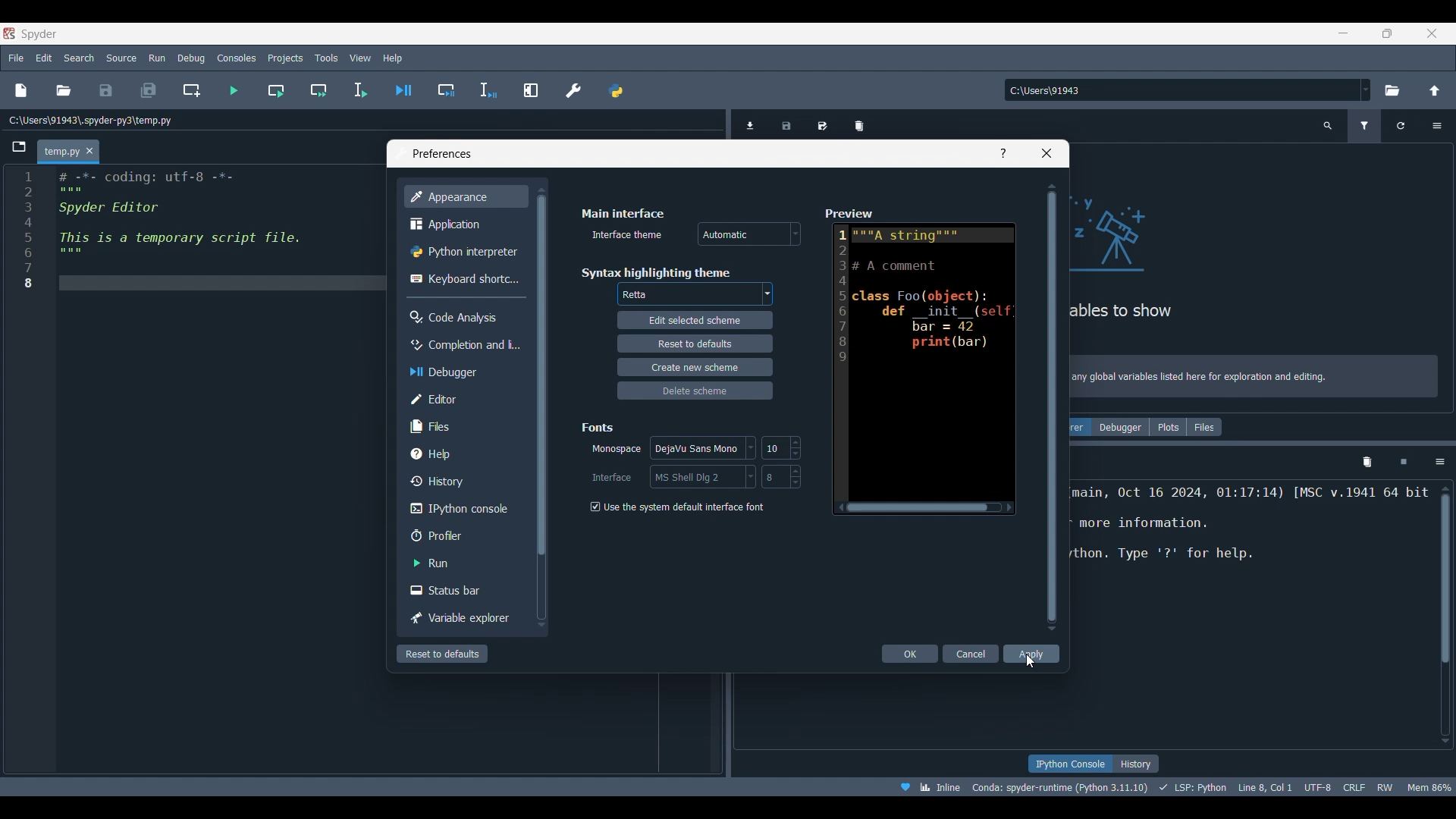  What do you see at coordinates (1319, 785) in the screenshot?
I see `utf-8` at bounding box center [1319, 785].